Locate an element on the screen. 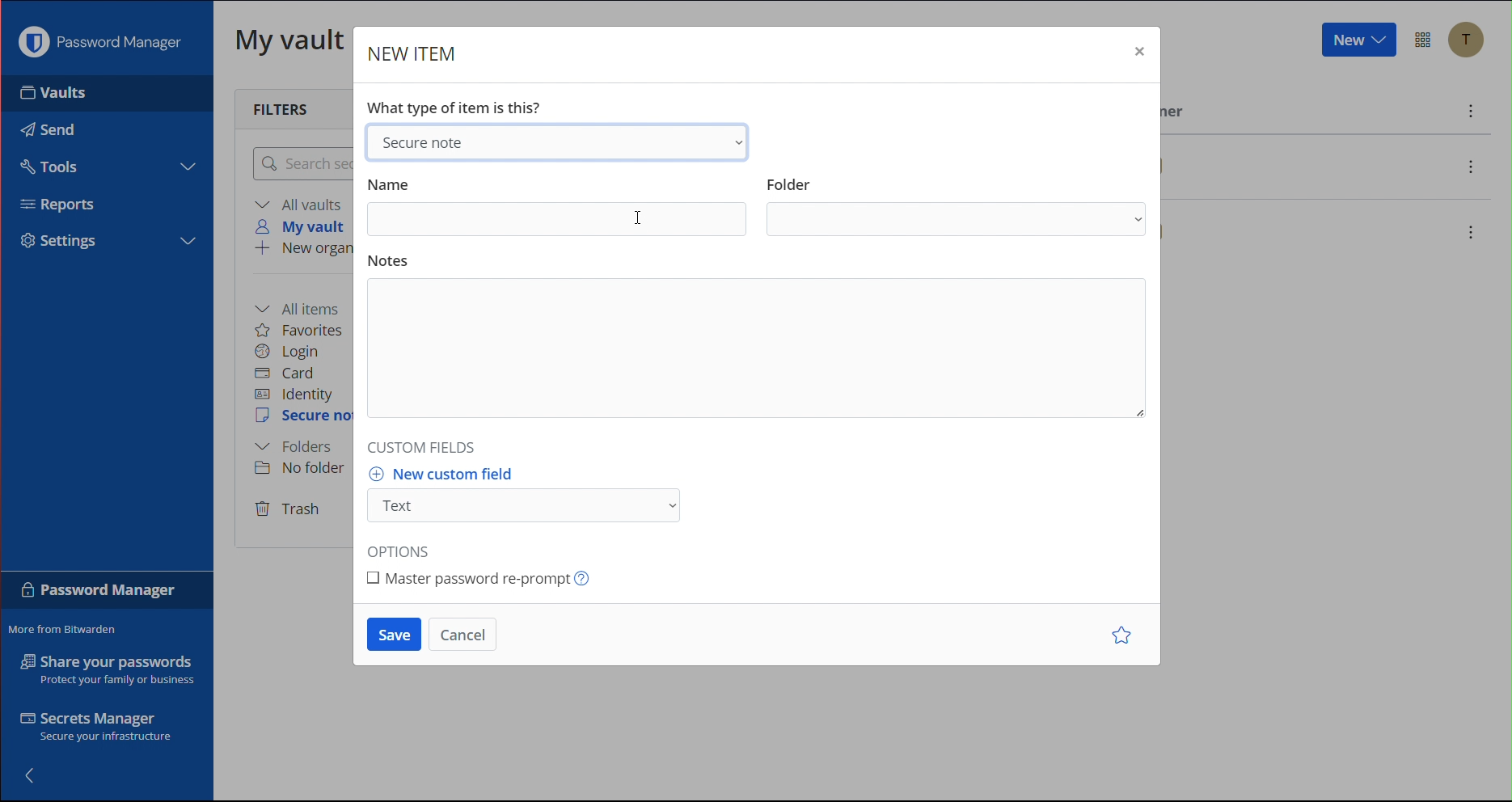  New is located at coordinates (1358, 42).